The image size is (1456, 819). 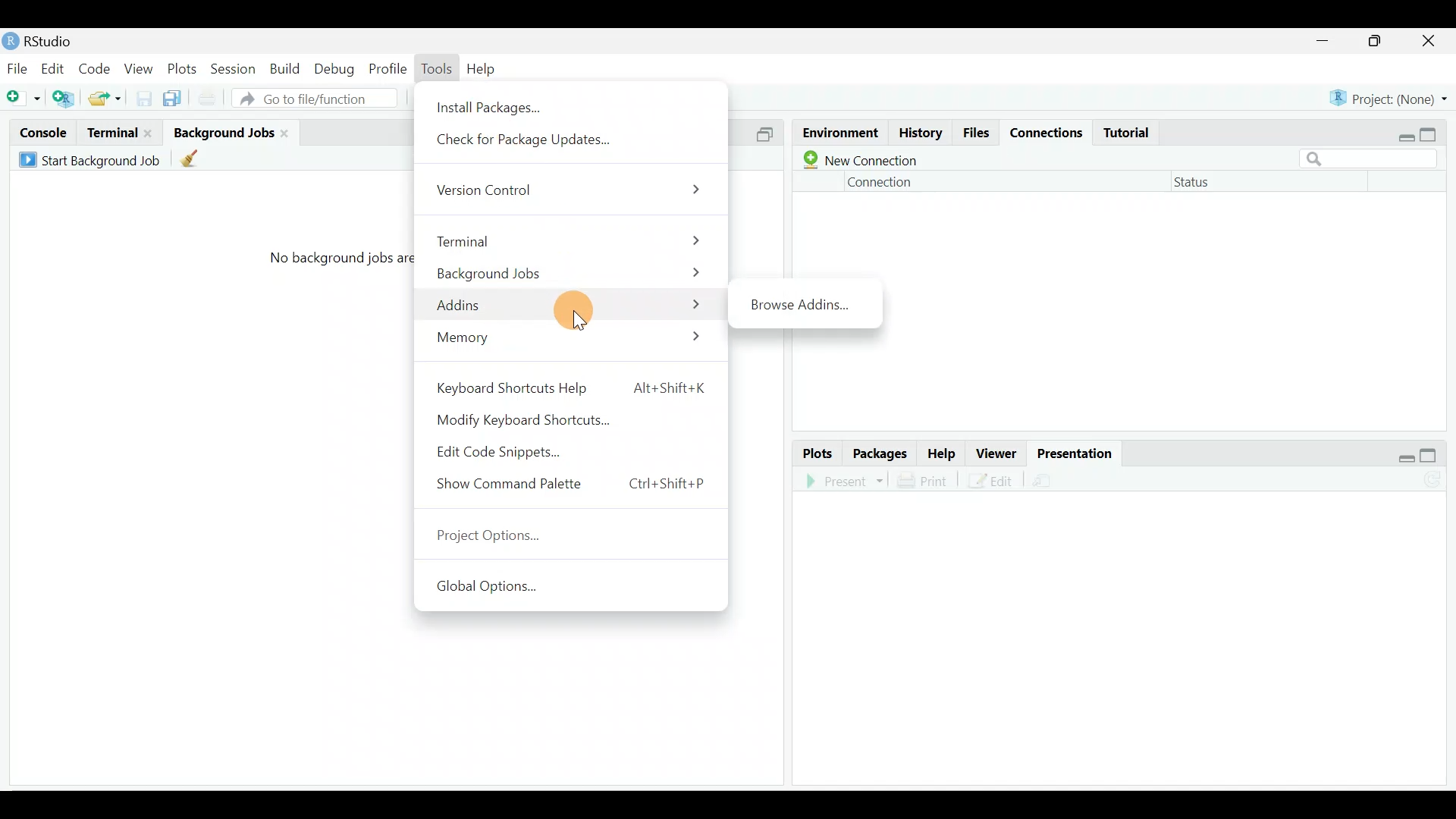 I want to click on History, so click(x=919, y=132).